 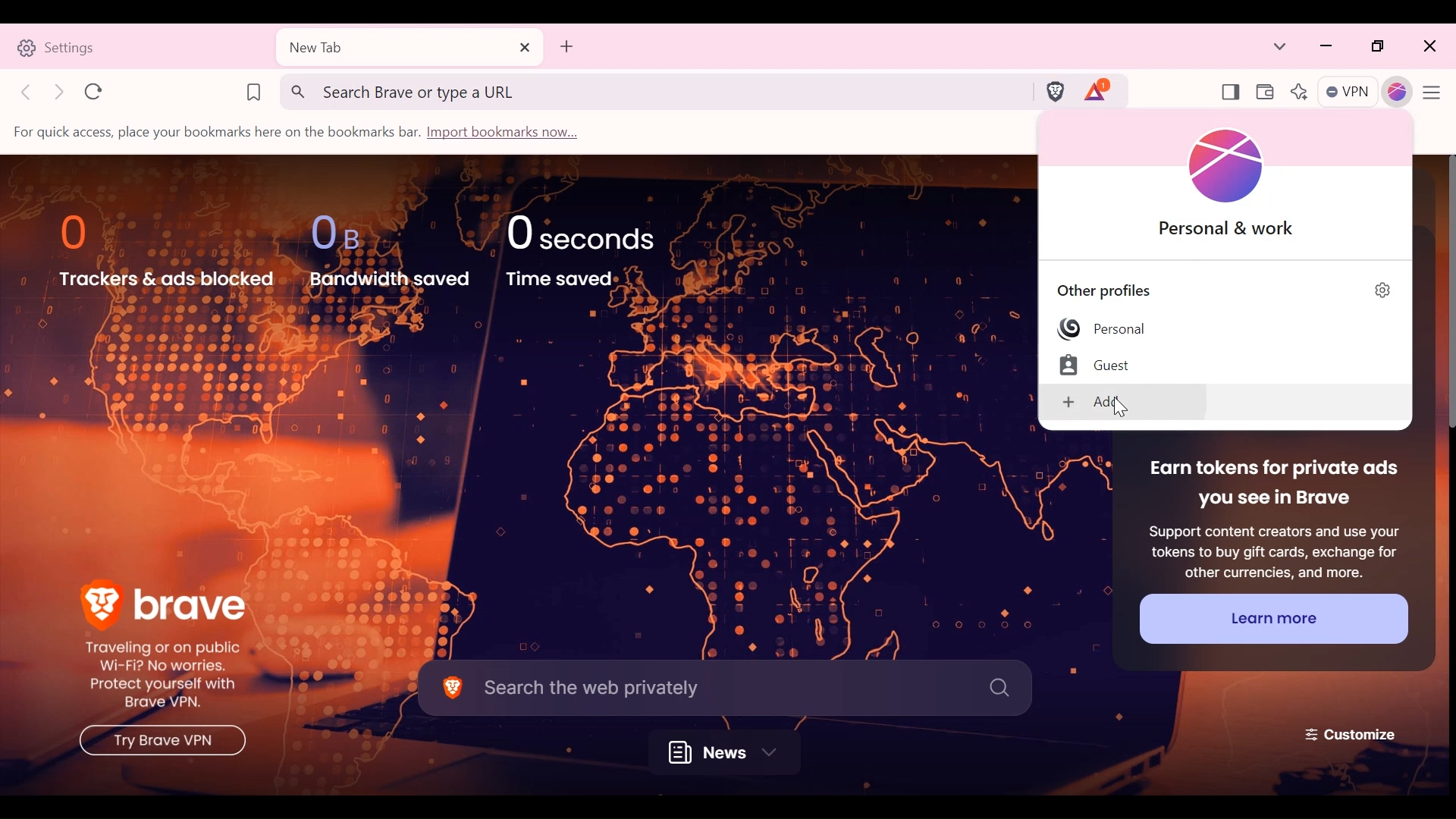 What do you see at coordinates (1349, 93) in the screenshot?
I see `VPN` at bounding box center [1349, 93].